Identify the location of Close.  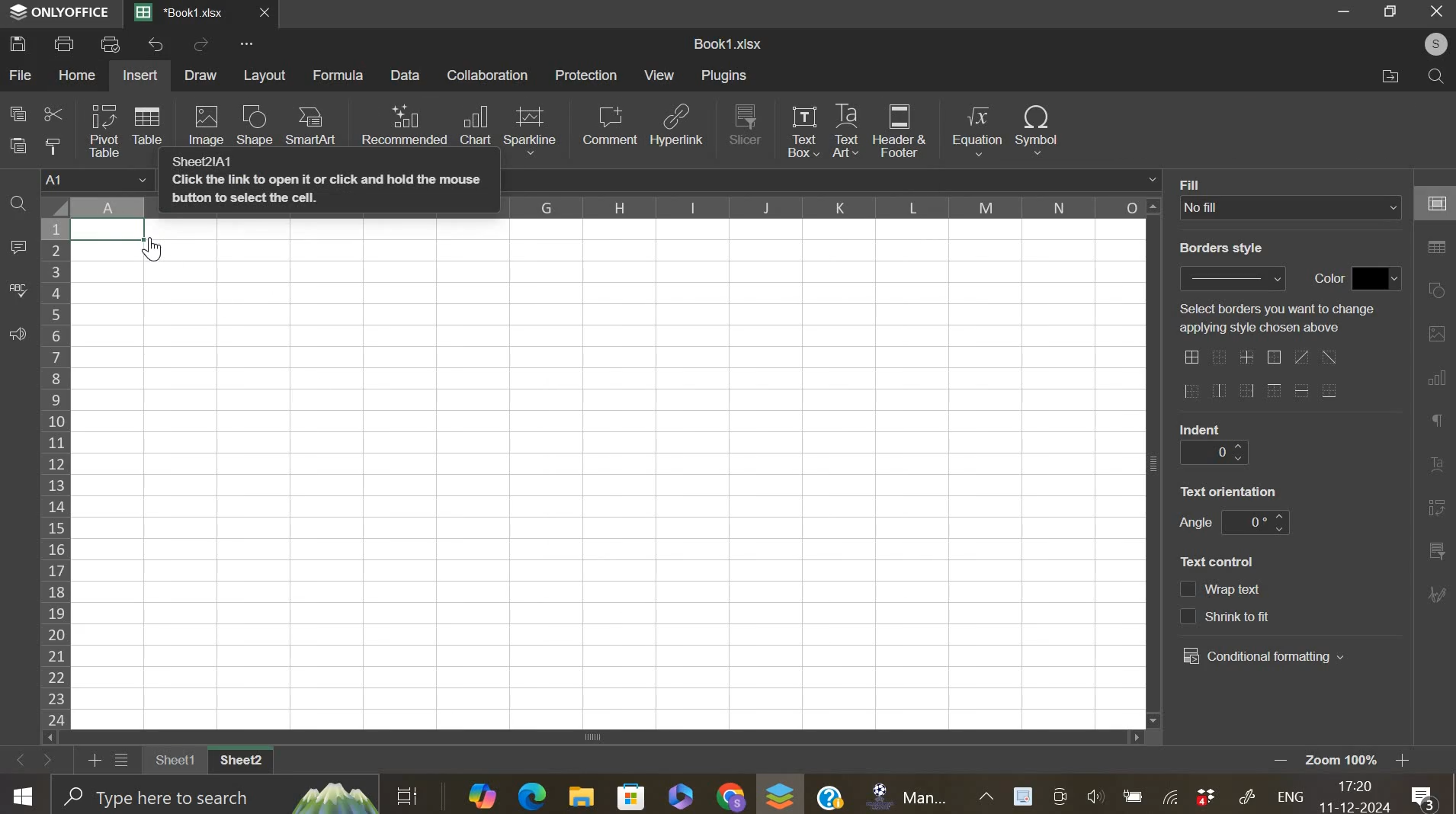
(1437, 12).